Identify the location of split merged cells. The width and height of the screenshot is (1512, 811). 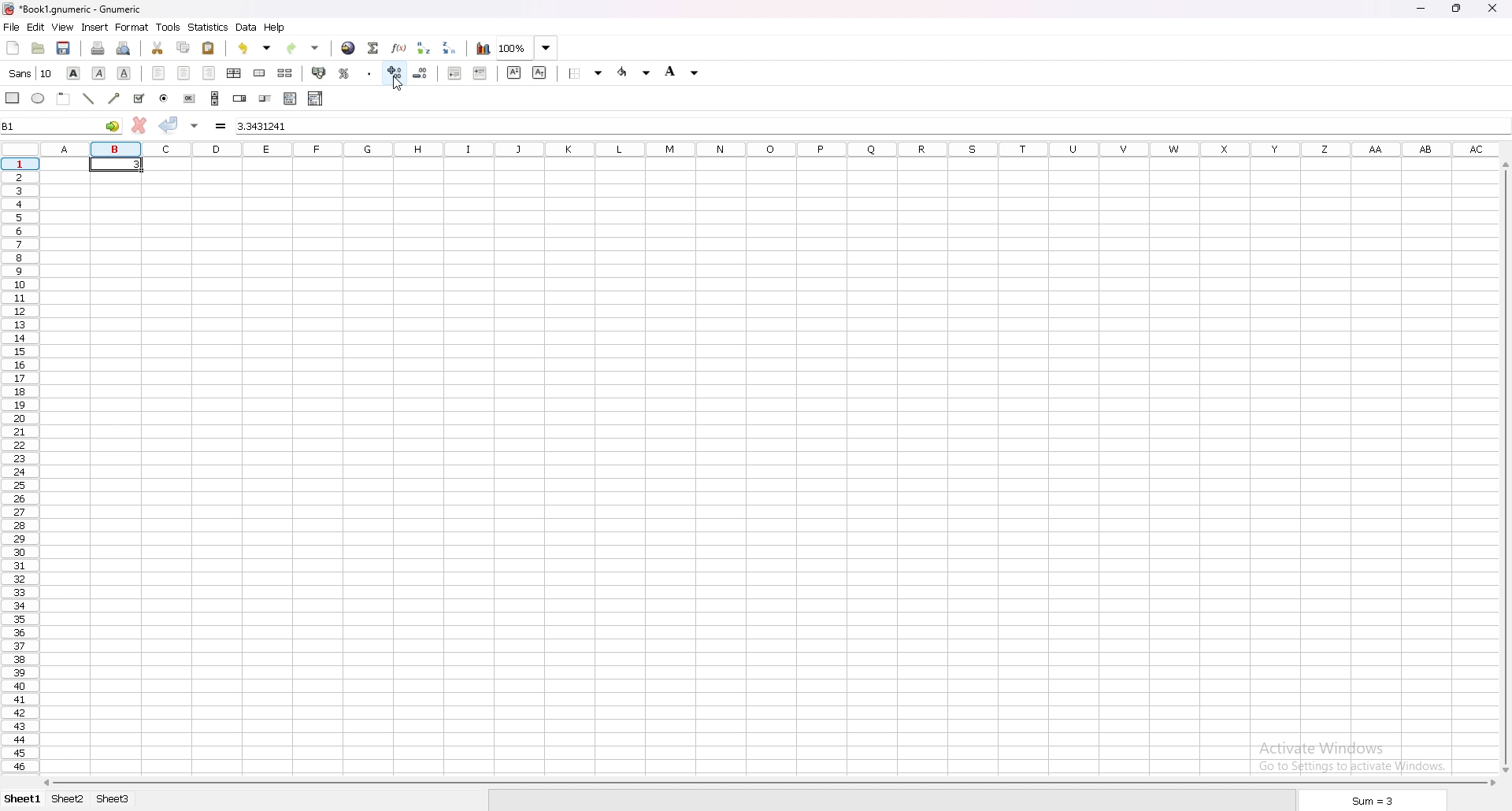
(285, 73).